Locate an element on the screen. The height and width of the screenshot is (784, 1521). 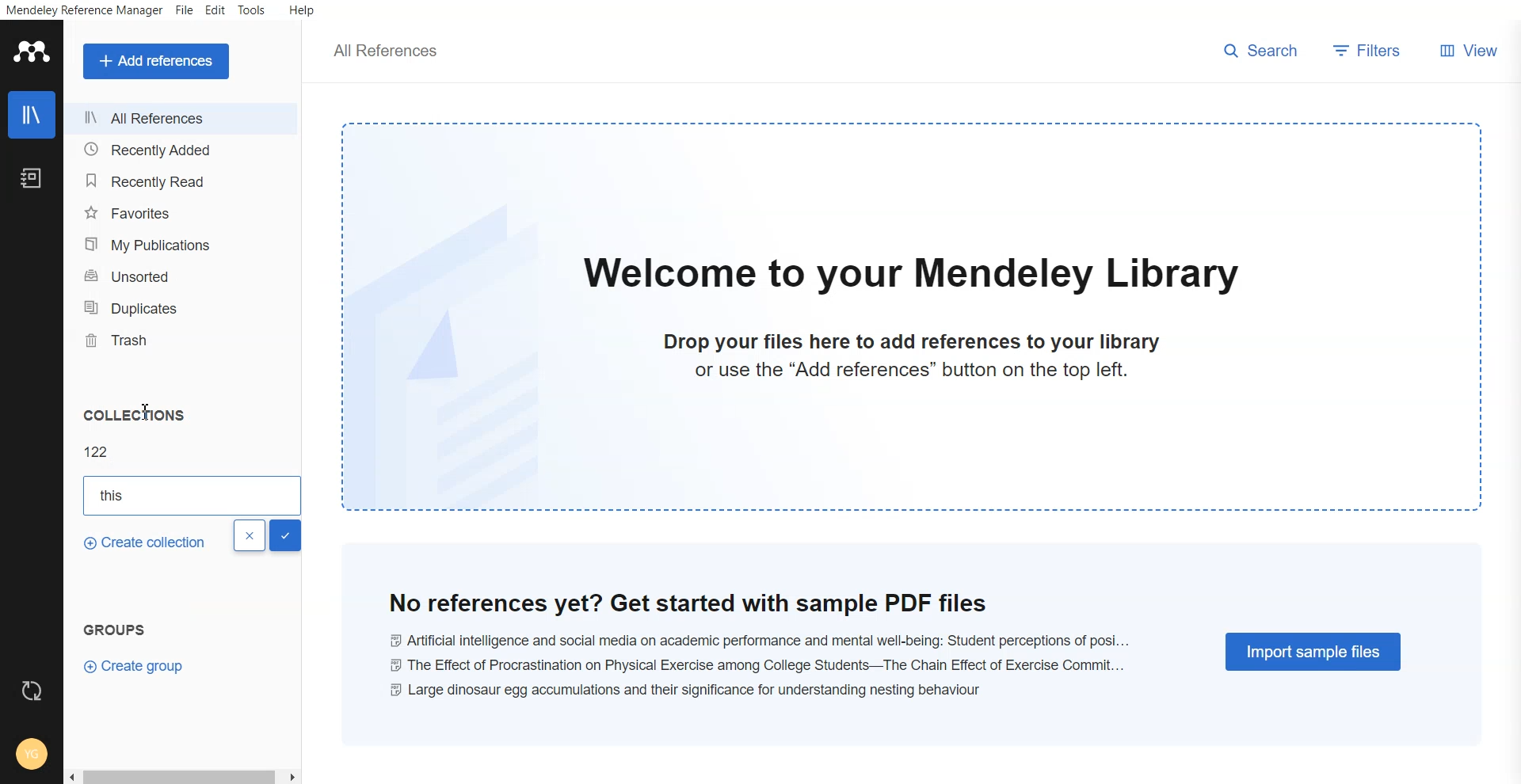
Mendeley reference manager is located at coordinates (86, 11).